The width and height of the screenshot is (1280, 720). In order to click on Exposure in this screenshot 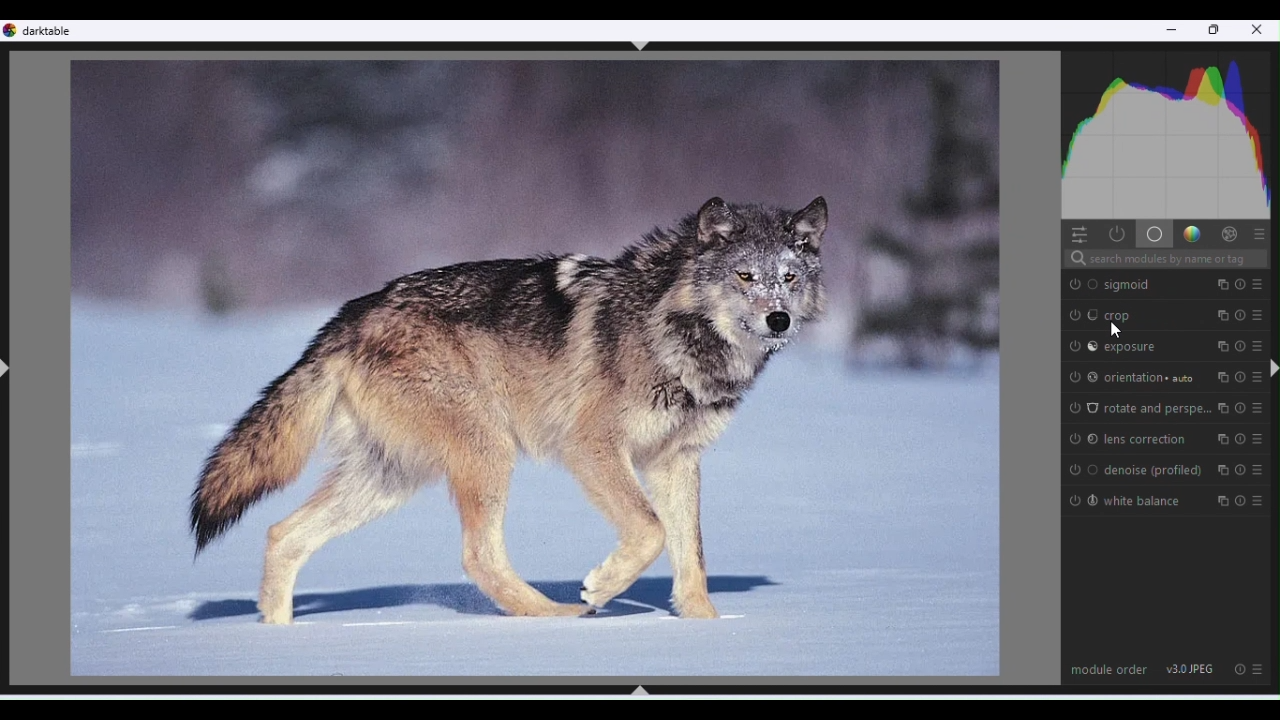, I will do `click(1165, 342)`.